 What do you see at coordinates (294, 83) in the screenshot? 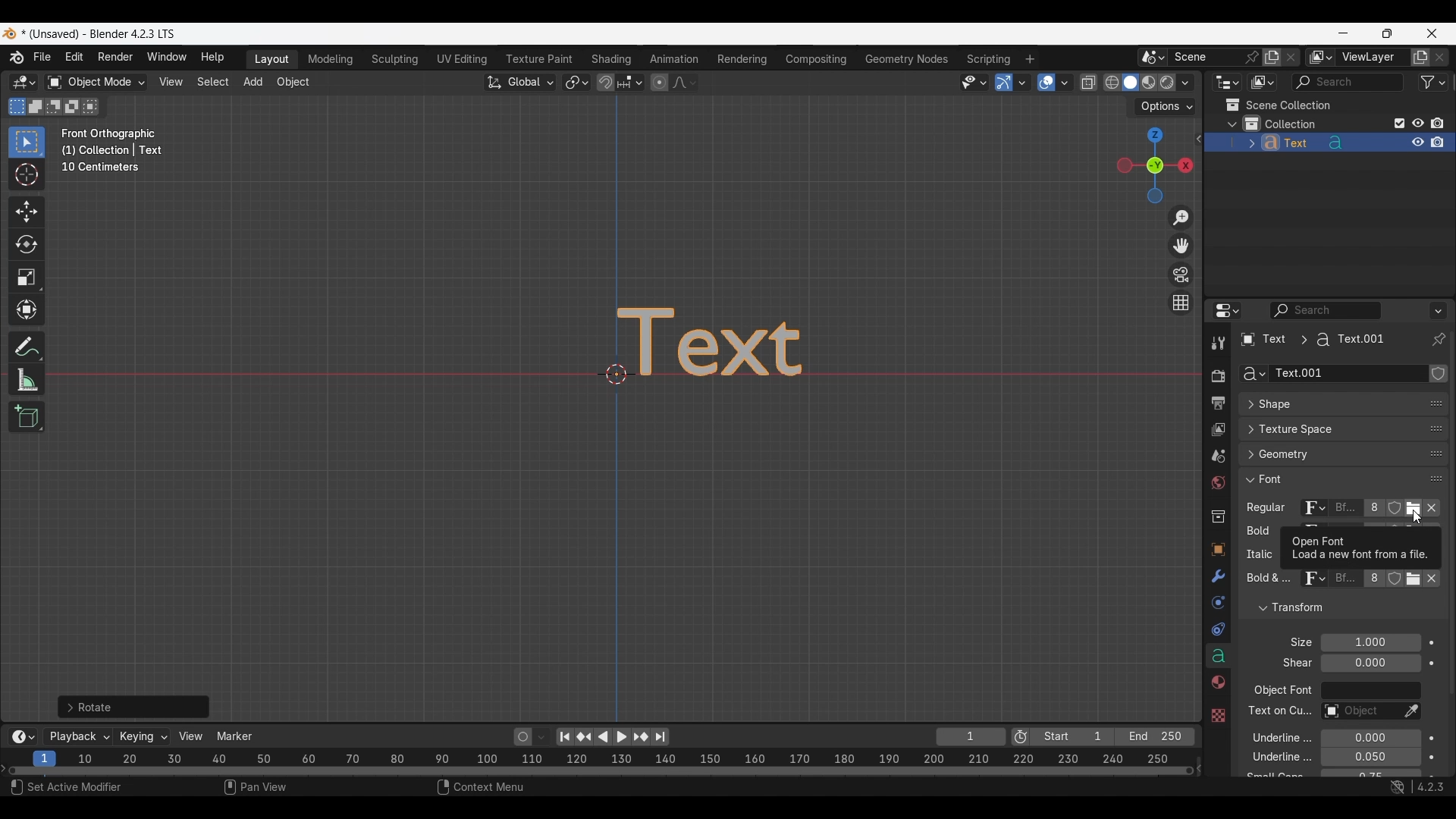
I see `Object menu` at bounding box center [294, 83].